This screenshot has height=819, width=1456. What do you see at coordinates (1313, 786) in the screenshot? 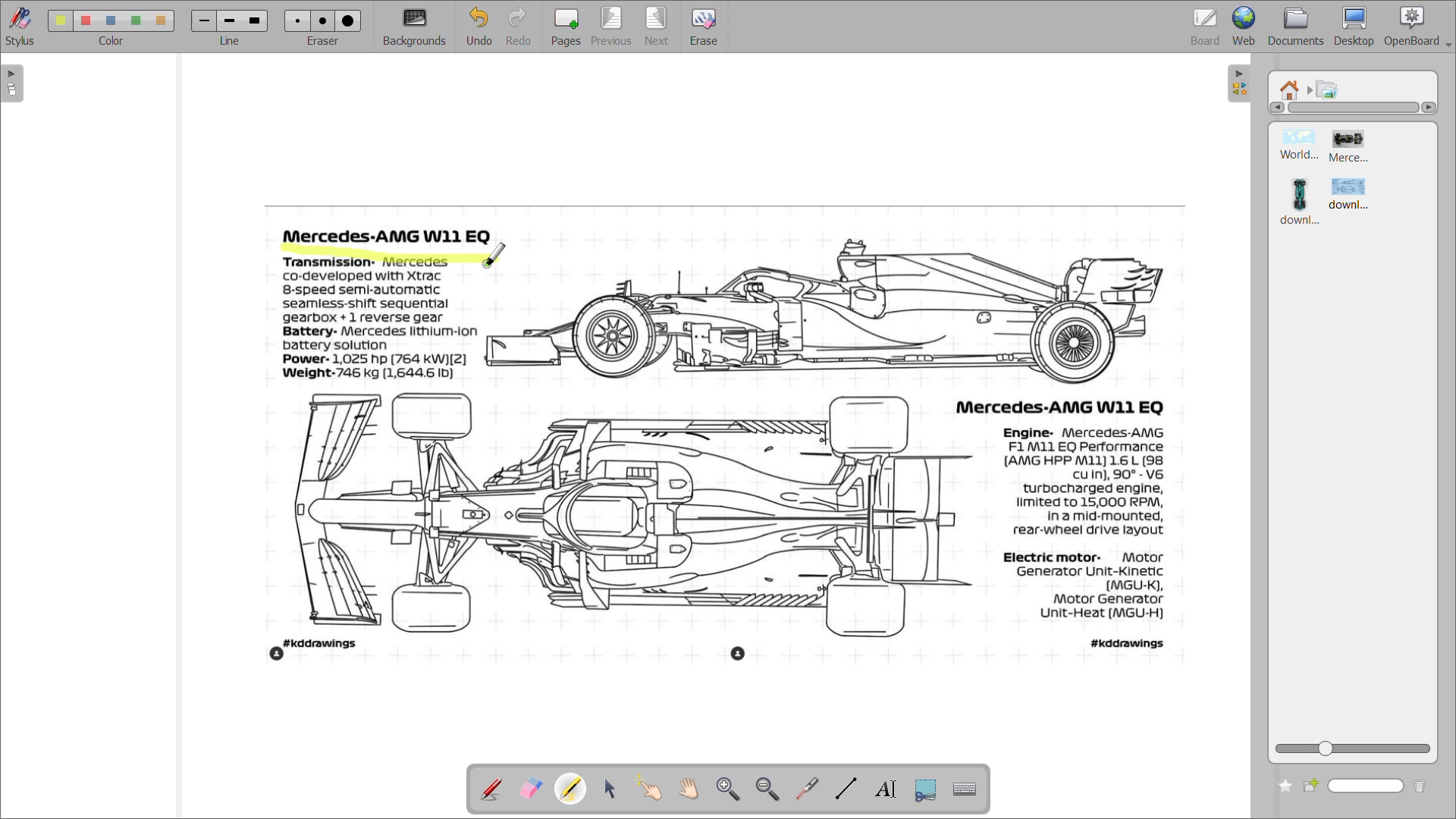
I see `create new folder` at bounding box center [1313, 786].